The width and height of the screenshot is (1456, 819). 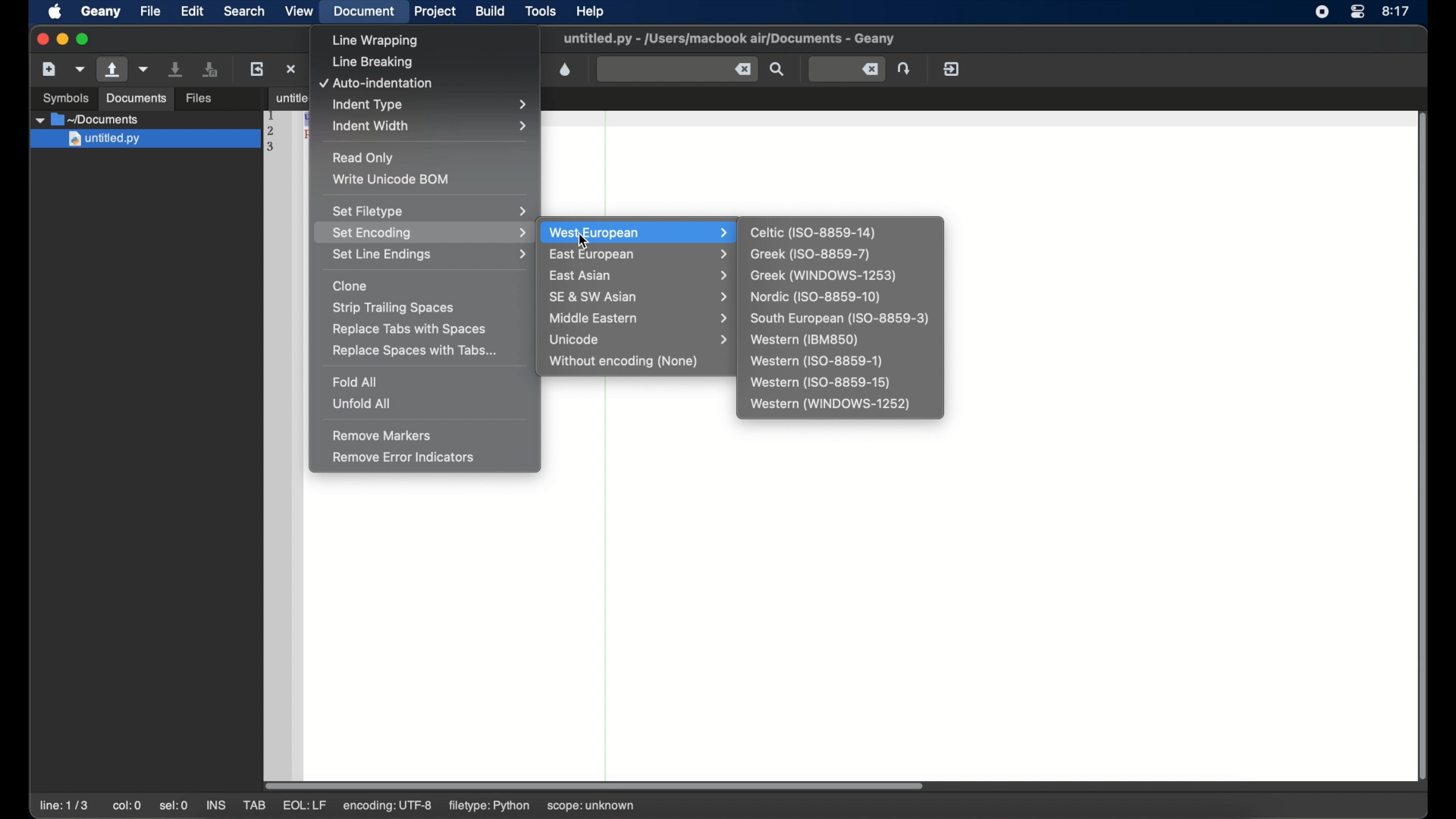 What do you see at coordinates (199, 99) in the screenshot?
I see `files` at bounding box center [199, 99].